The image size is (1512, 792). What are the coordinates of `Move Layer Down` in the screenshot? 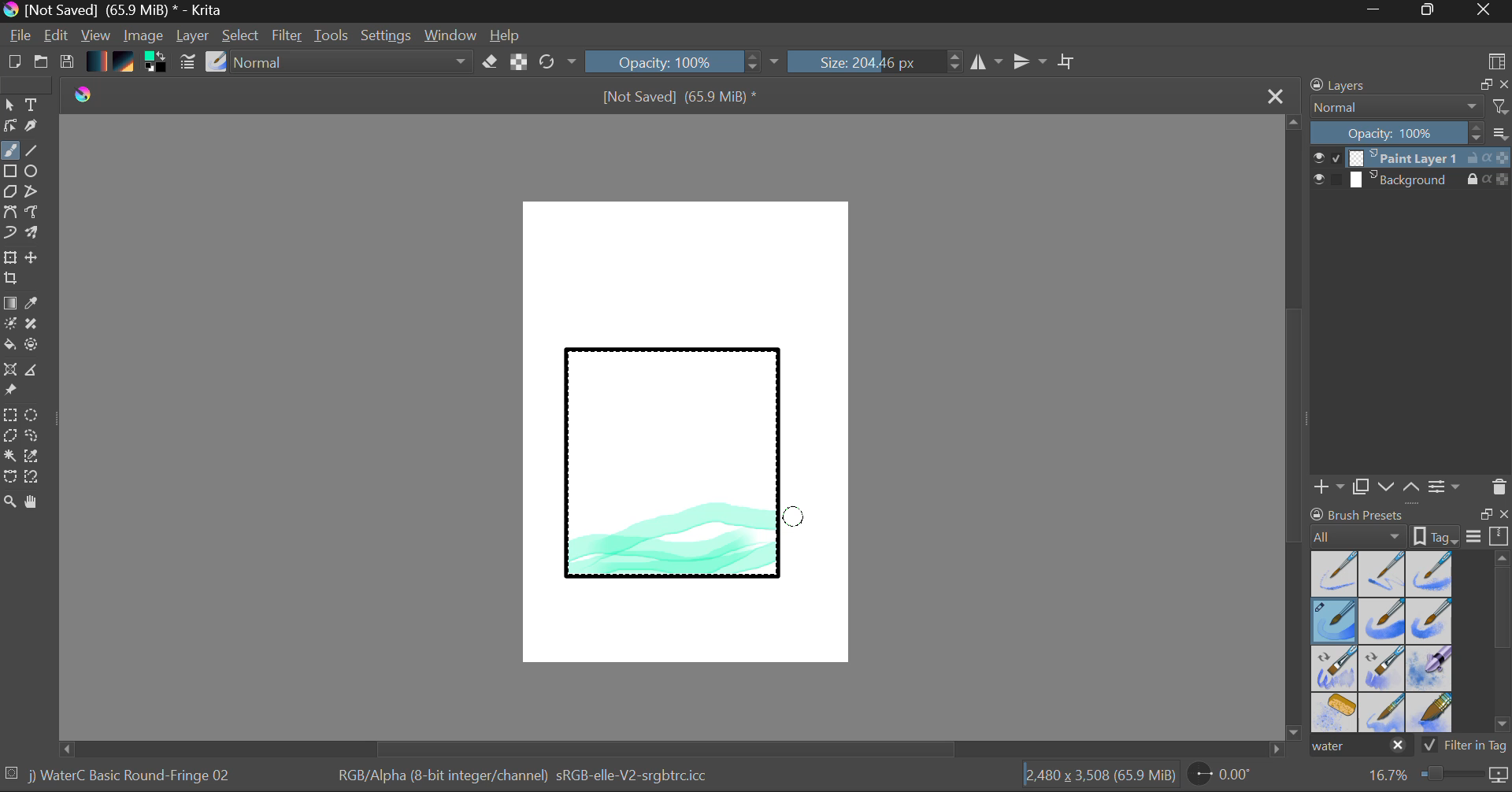 It's located at (1388, 487).